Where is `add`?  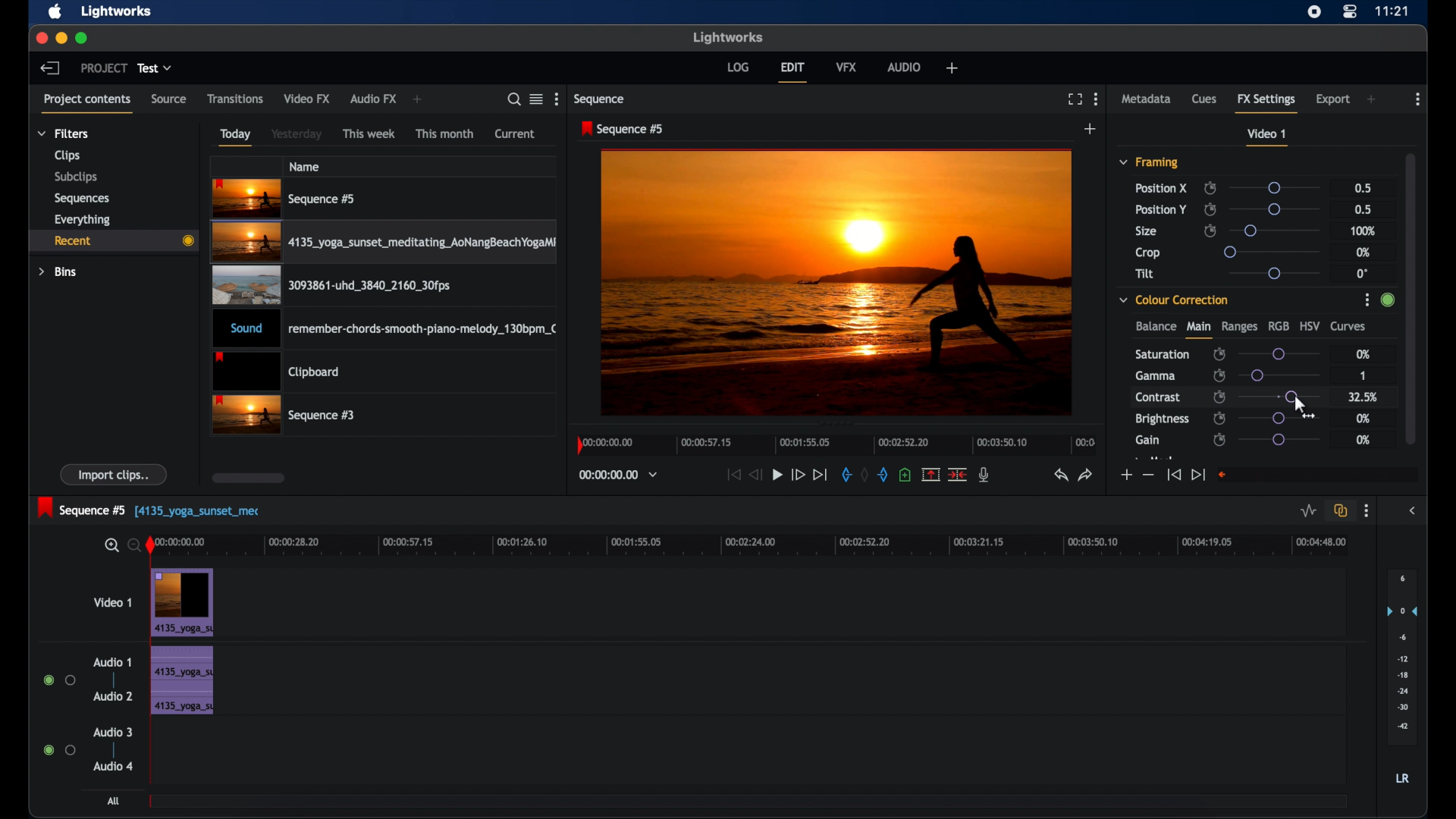 add is located at coordinates (1090, 129).